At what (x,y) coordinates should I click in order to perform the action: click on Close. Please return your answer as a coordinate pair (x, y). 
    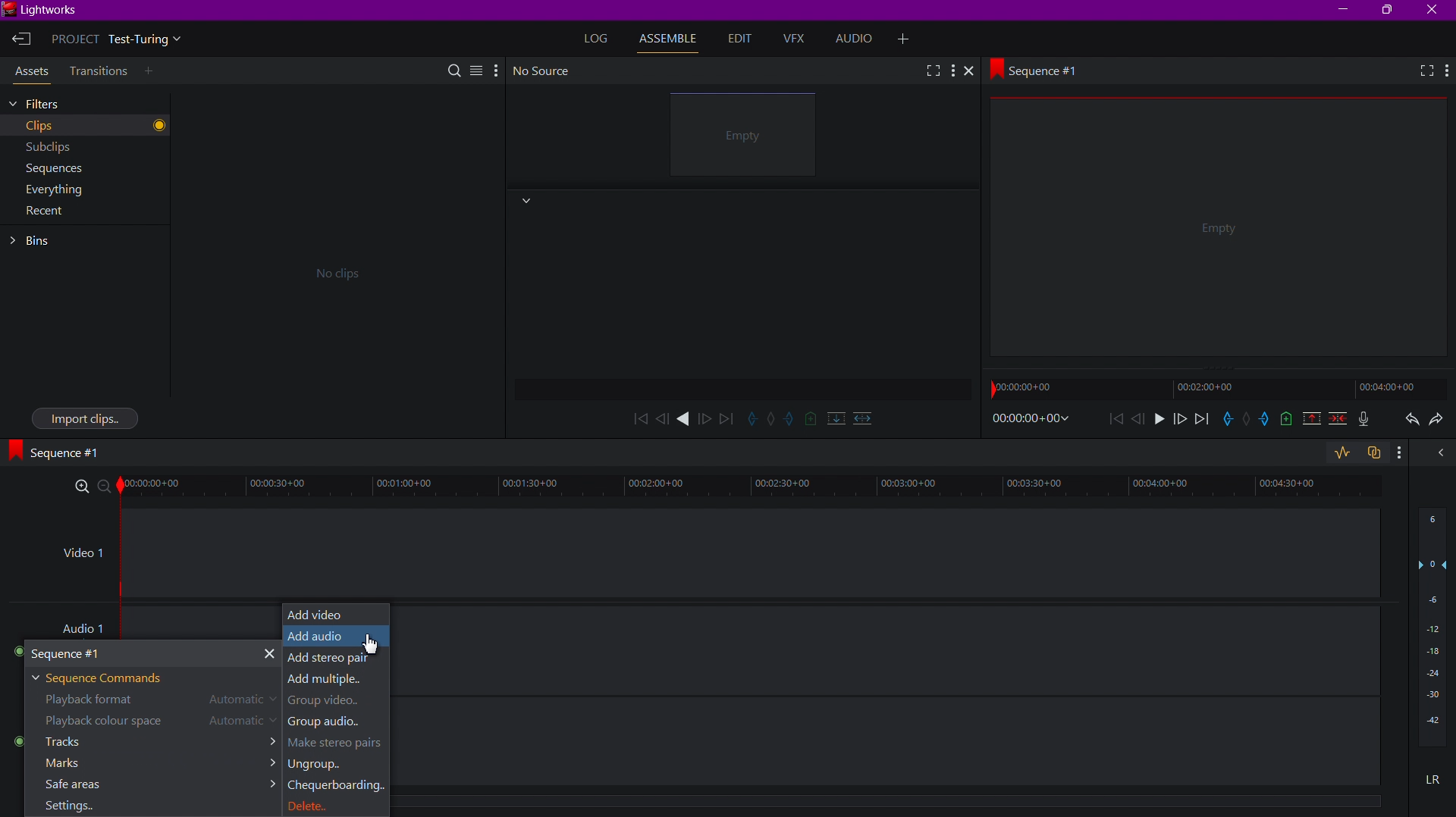
    Looking at the image, I should click on (974, 72).